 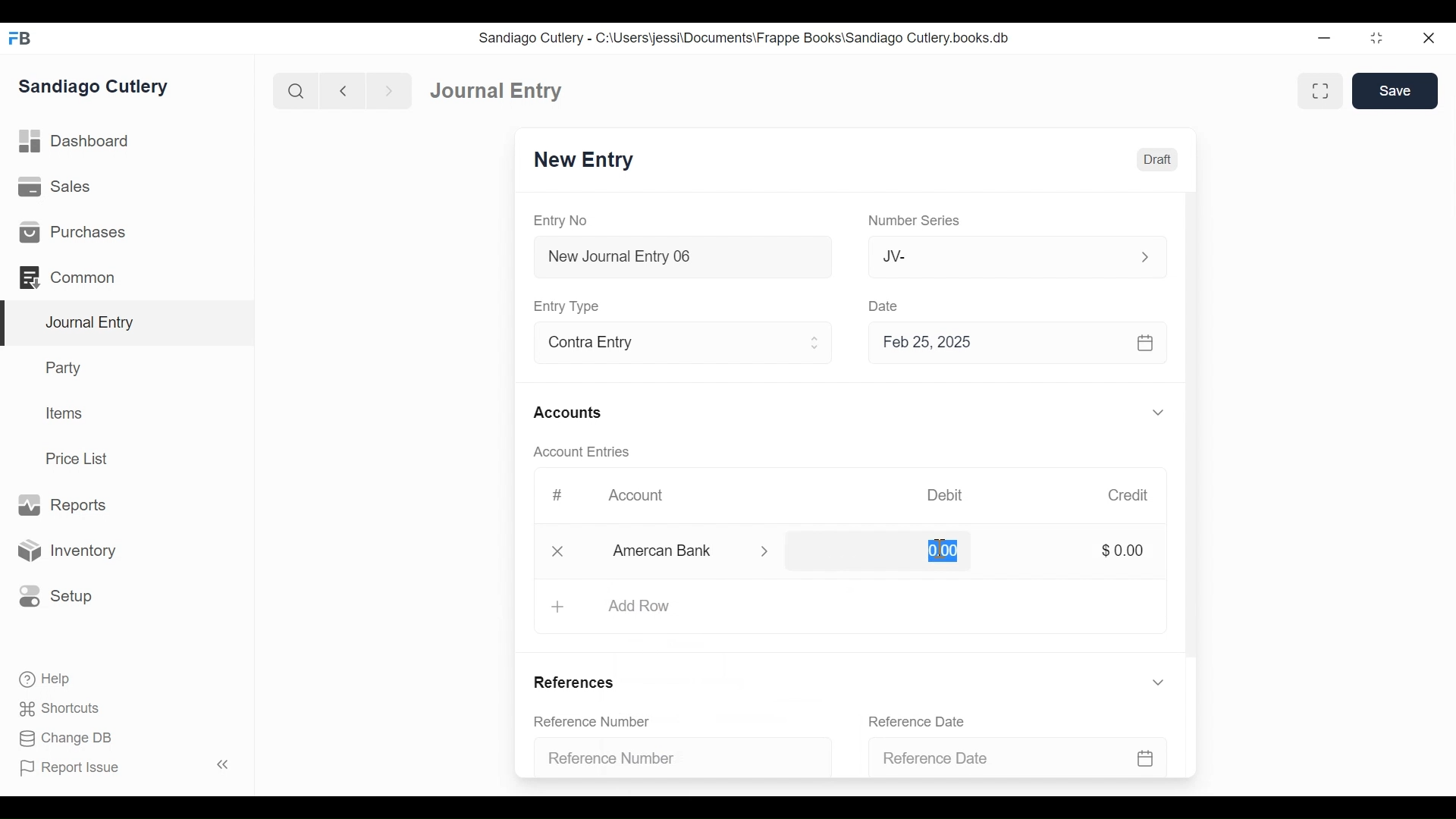 What do you see at coordinates (601, 723) in the screenshot?
I see `Reference Number` at bounding box center [601, 723].